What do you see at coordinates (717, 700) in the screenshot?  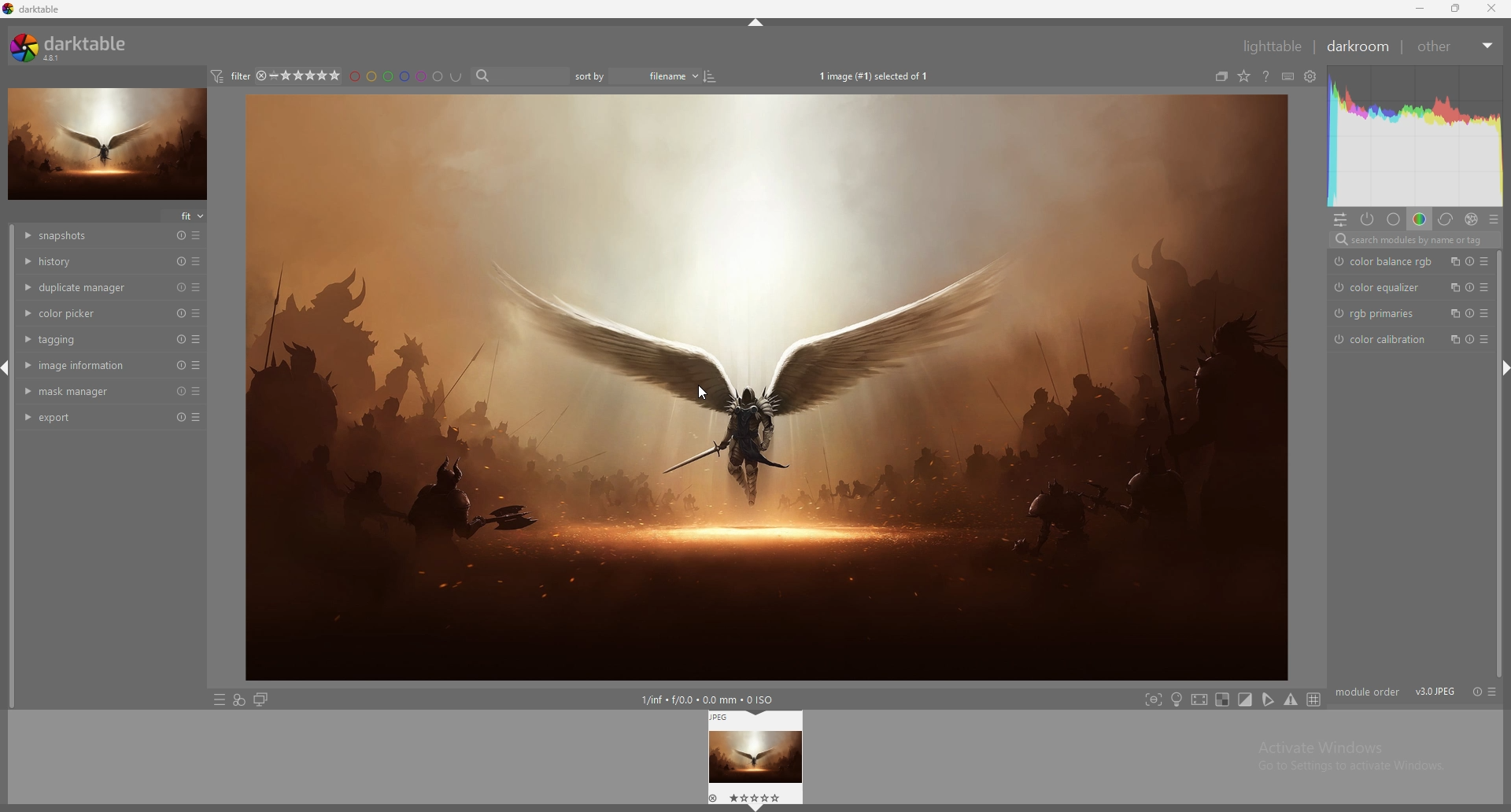 I see `1/inf .f/0.0.00mm.oISO` at bounding box center [717, 700].